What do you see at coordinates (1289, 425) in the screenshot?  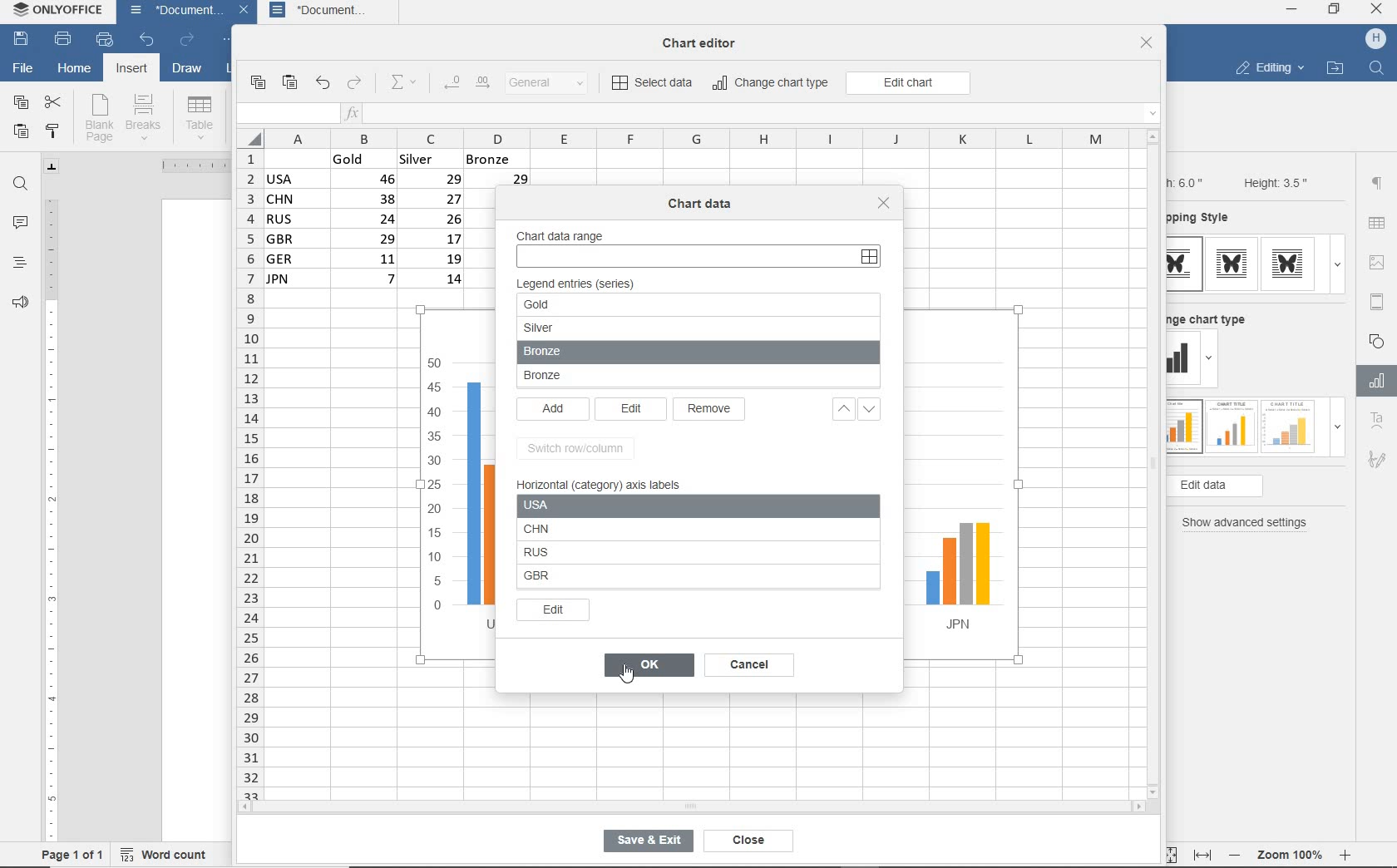 I see `type 3` at bounding box center [1289, 425].